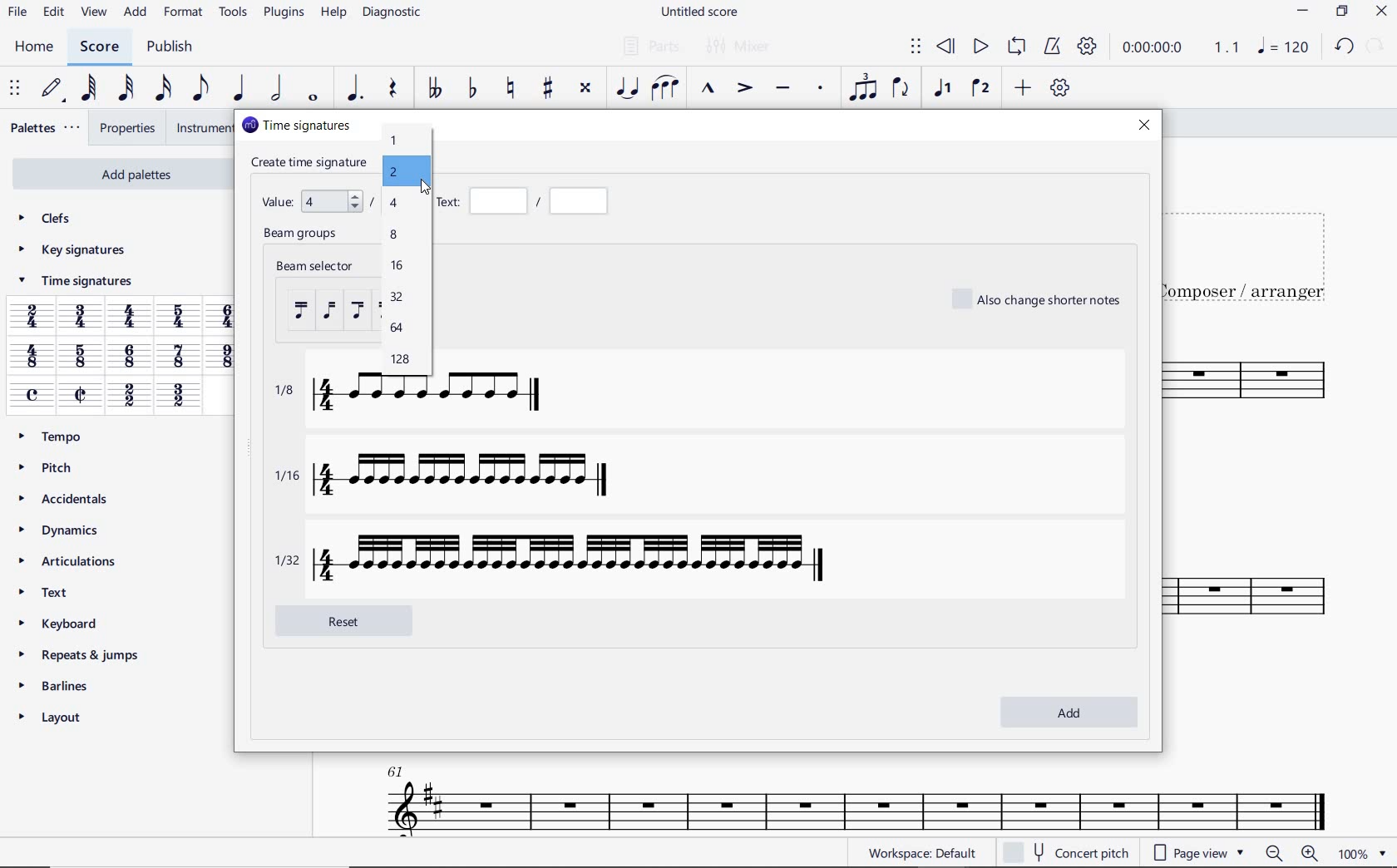 This screenshot has height=868, width=1397. Describe the element at coordinates (136, 13) in the screenshot. I see `ADD` at that location.